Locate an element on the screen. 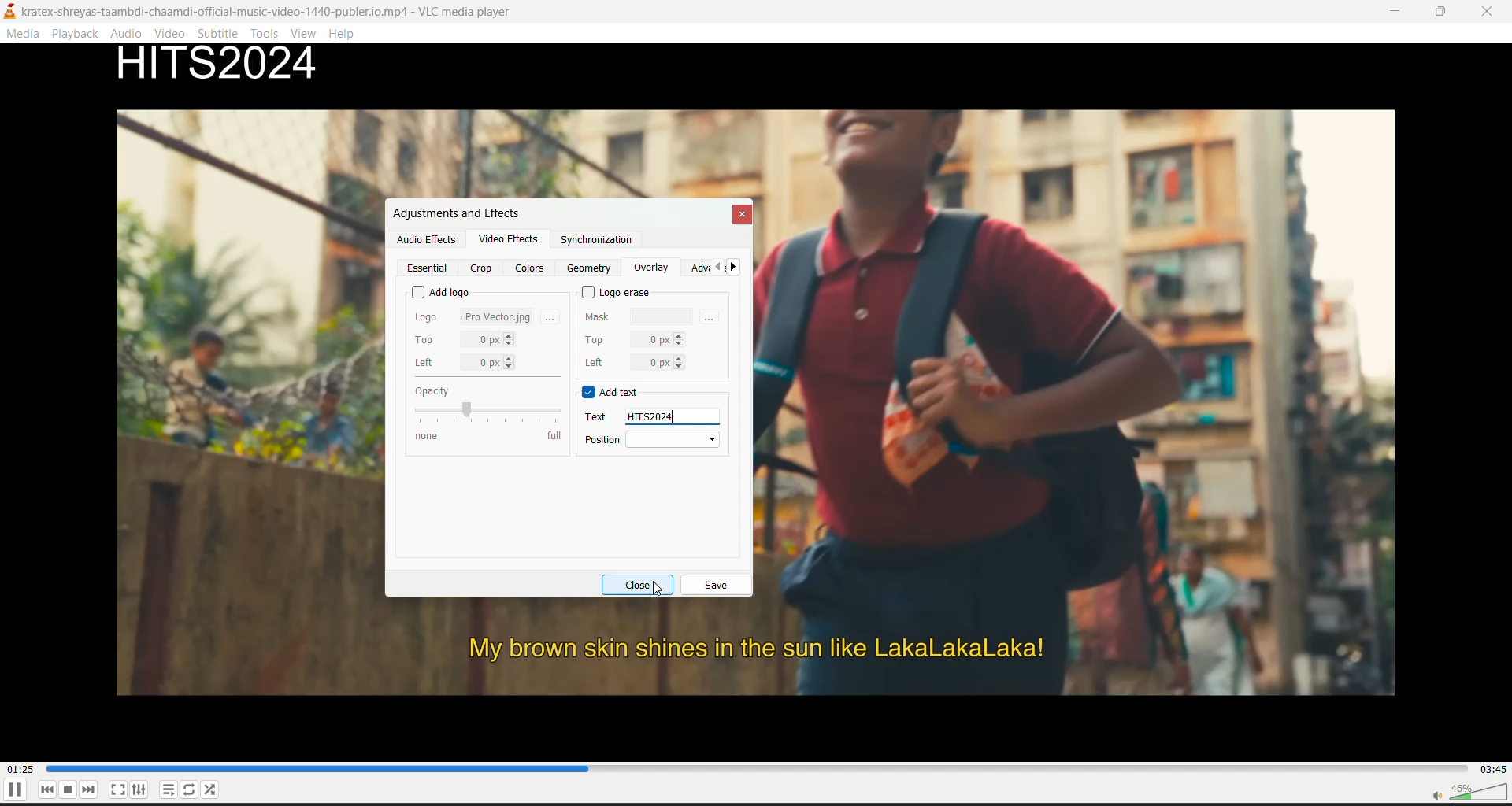 This screenshot has height=806, width=1512. synchronization is located at coordinates (595, 243).